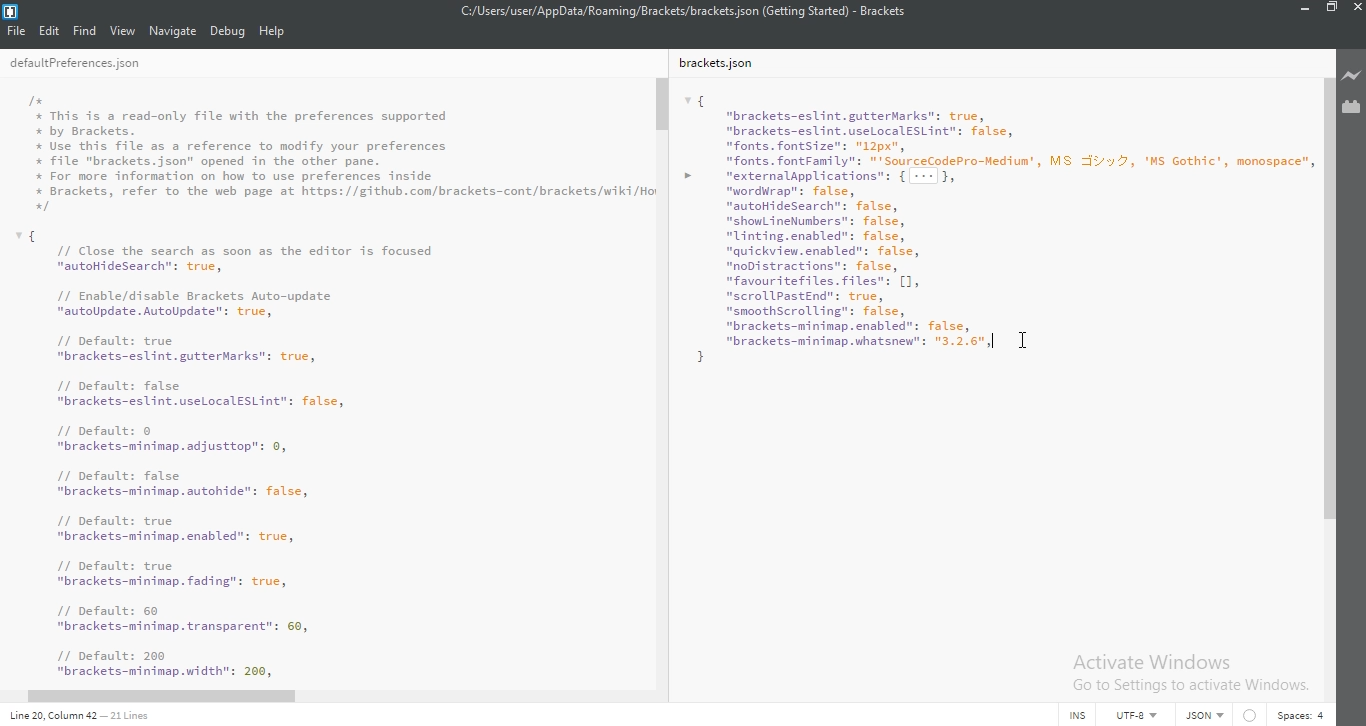 The height and width of the screenshot is (726, 1366). Describe the element at coordinates (1132, 714) in the screenshot. I see `UTF-8` at that location.